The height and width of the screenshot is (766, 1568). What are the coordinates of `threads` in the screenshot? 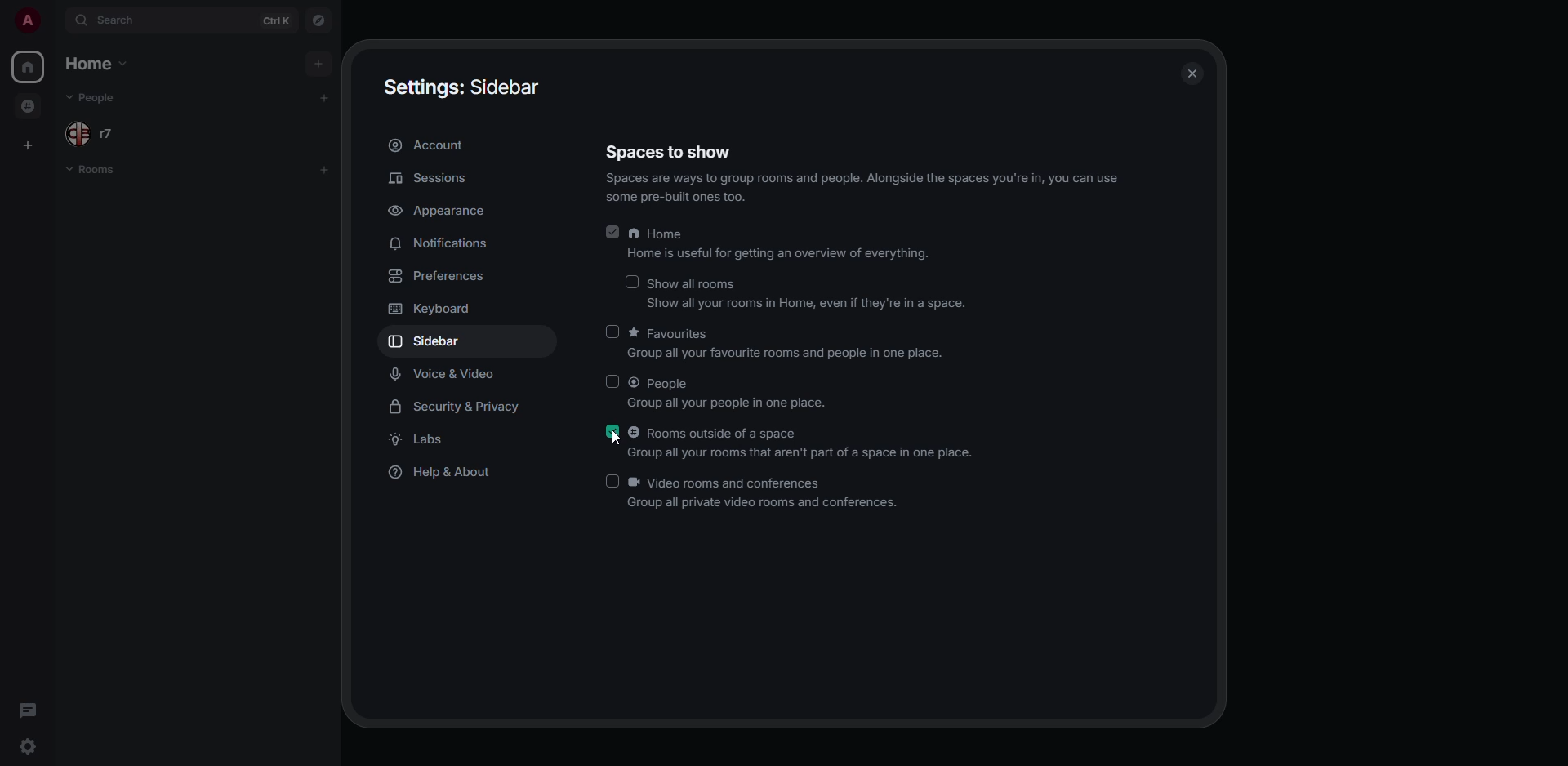 It's located at (29, 709).